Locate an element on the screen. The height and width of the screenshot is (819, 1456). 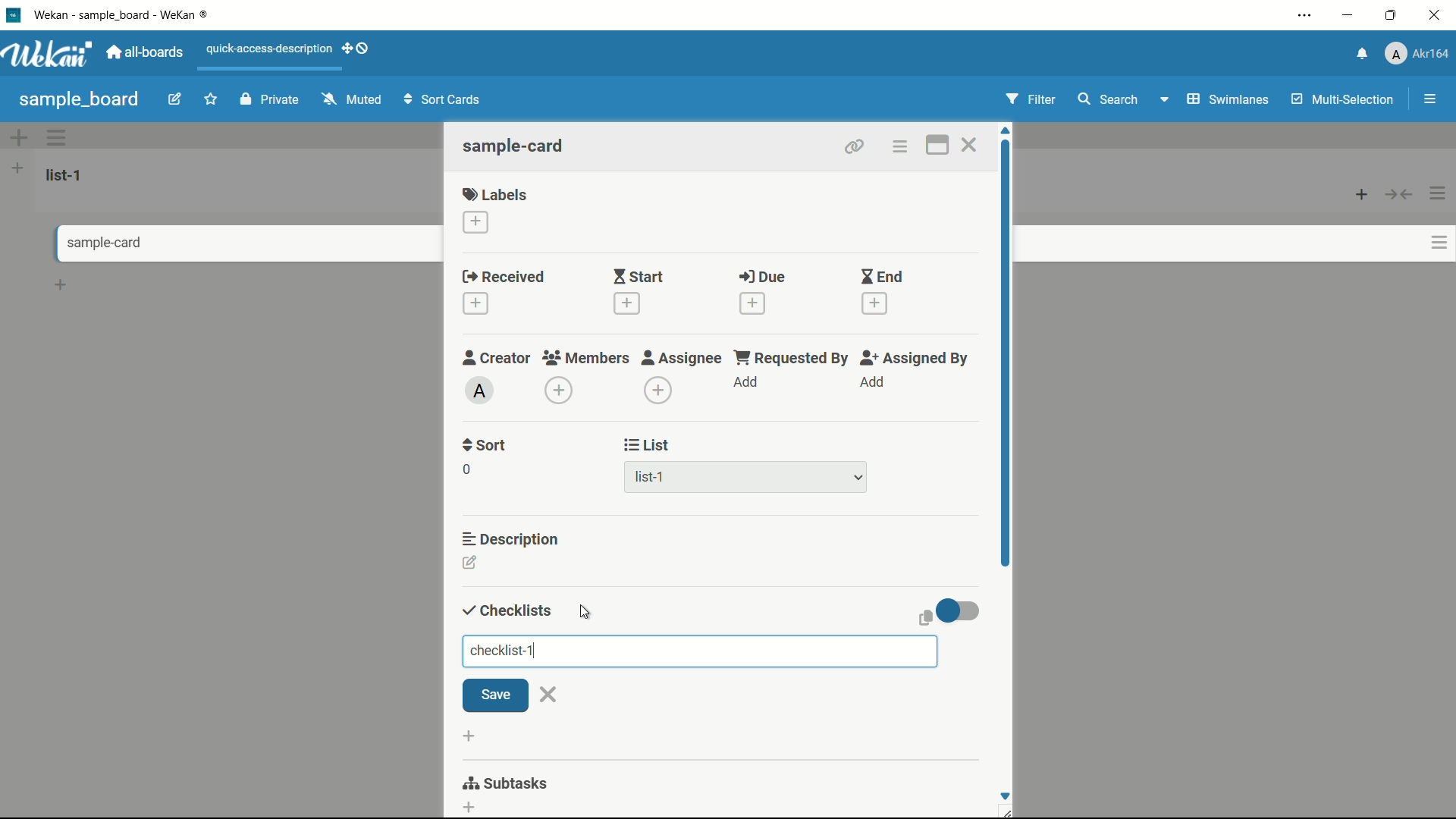
members is located at coordinates (585, 359).